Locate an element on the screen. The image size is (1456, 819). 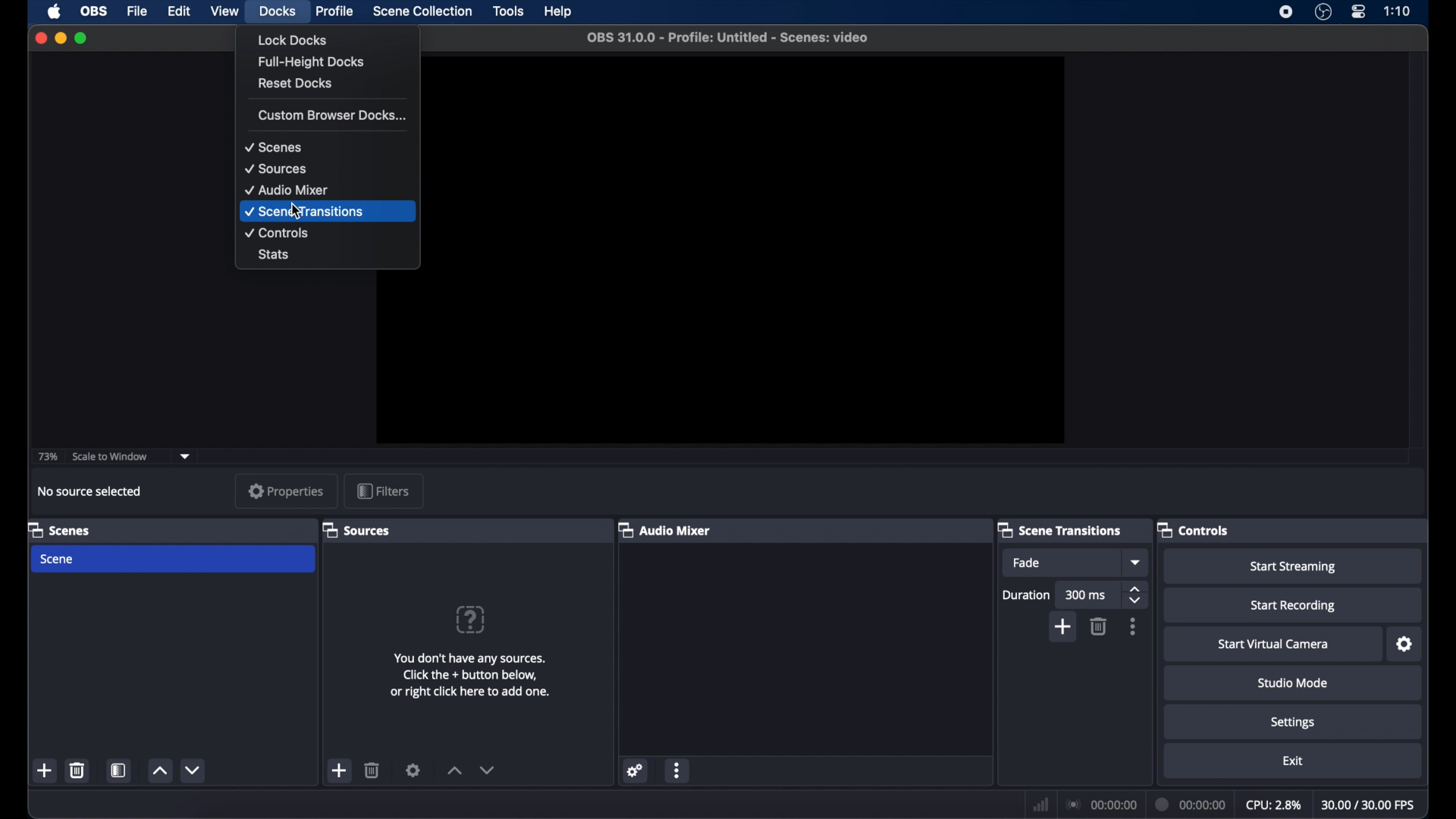
delete is located at coordinates (78, 770).